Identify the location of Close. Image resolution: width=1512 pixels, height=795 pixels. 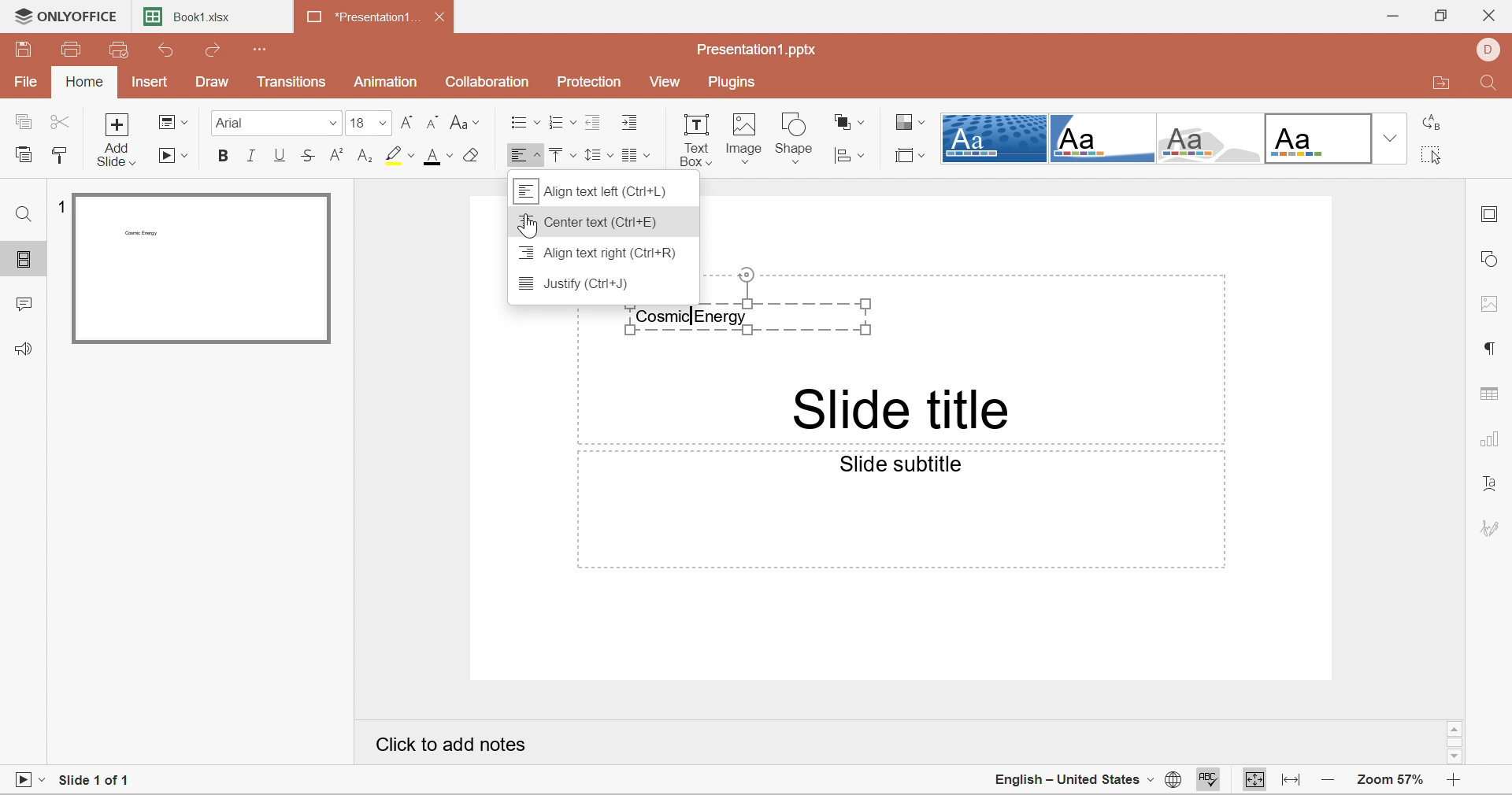
(440, 18).